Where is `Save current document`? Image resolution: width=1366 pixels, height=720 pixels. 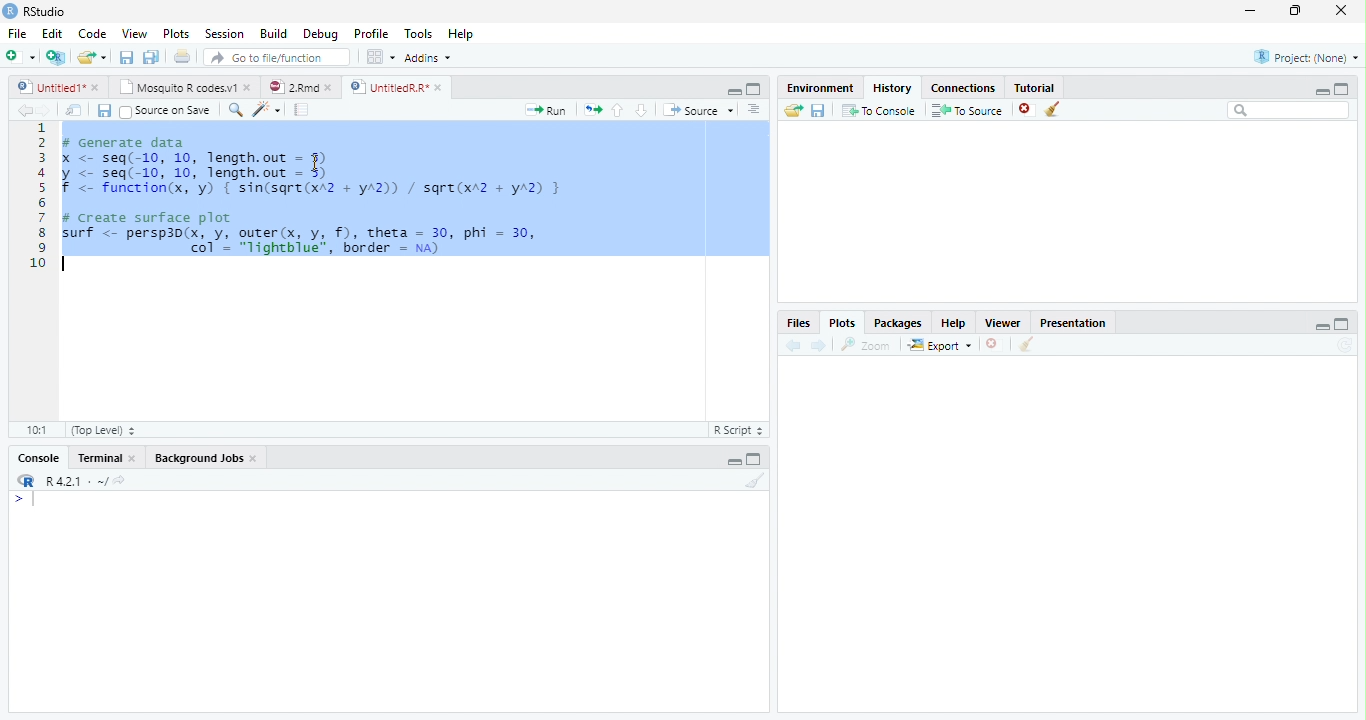 Save current document is located at coordinates (103, 110).